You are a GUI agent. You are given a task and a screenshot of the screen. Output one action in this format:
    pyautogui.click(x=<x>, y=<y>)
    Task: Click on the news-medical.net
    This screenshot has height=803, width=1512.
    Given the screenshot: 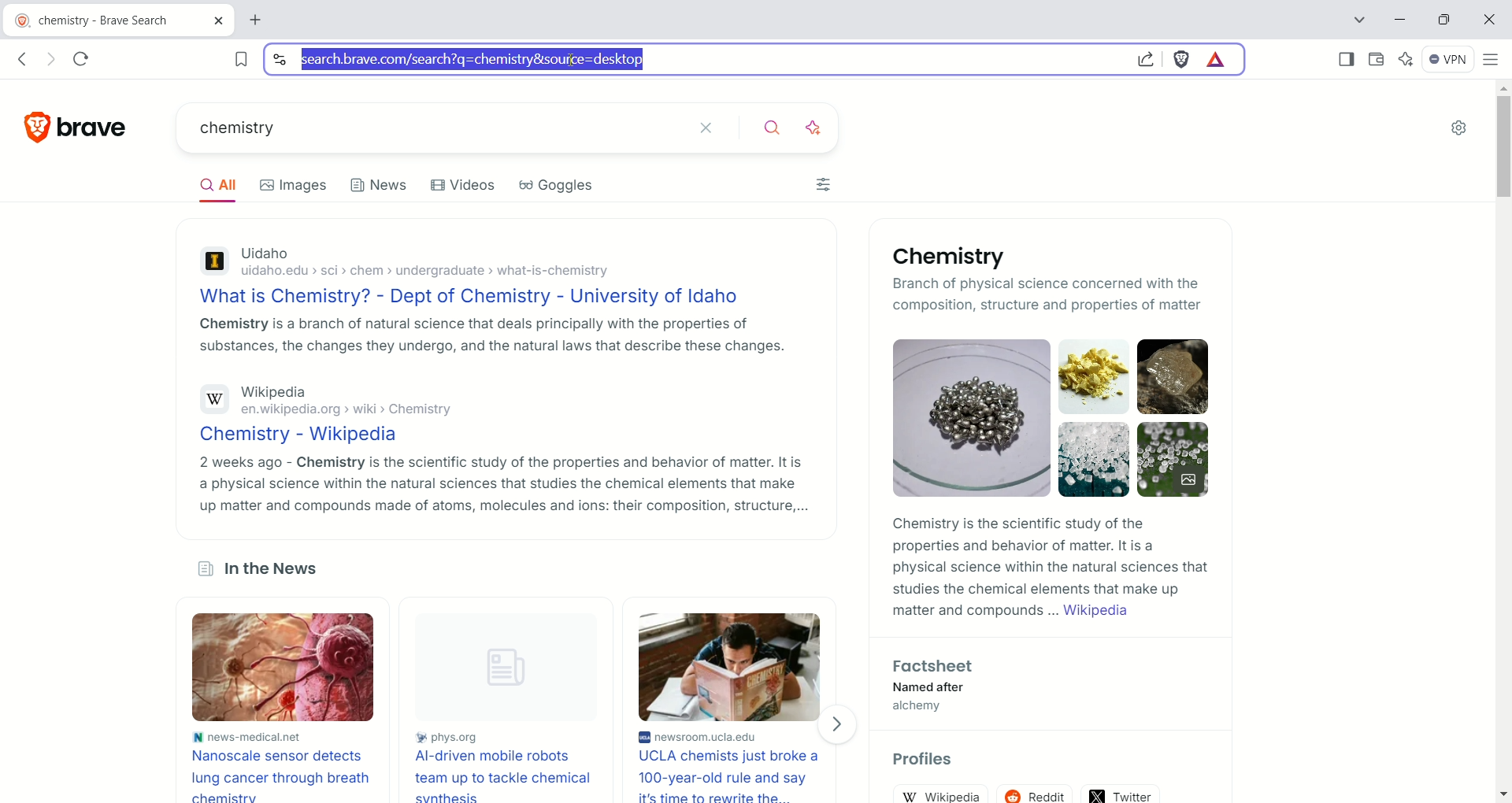 What is the action you would take?
    pyautogui.click(x=247, y=736)
    